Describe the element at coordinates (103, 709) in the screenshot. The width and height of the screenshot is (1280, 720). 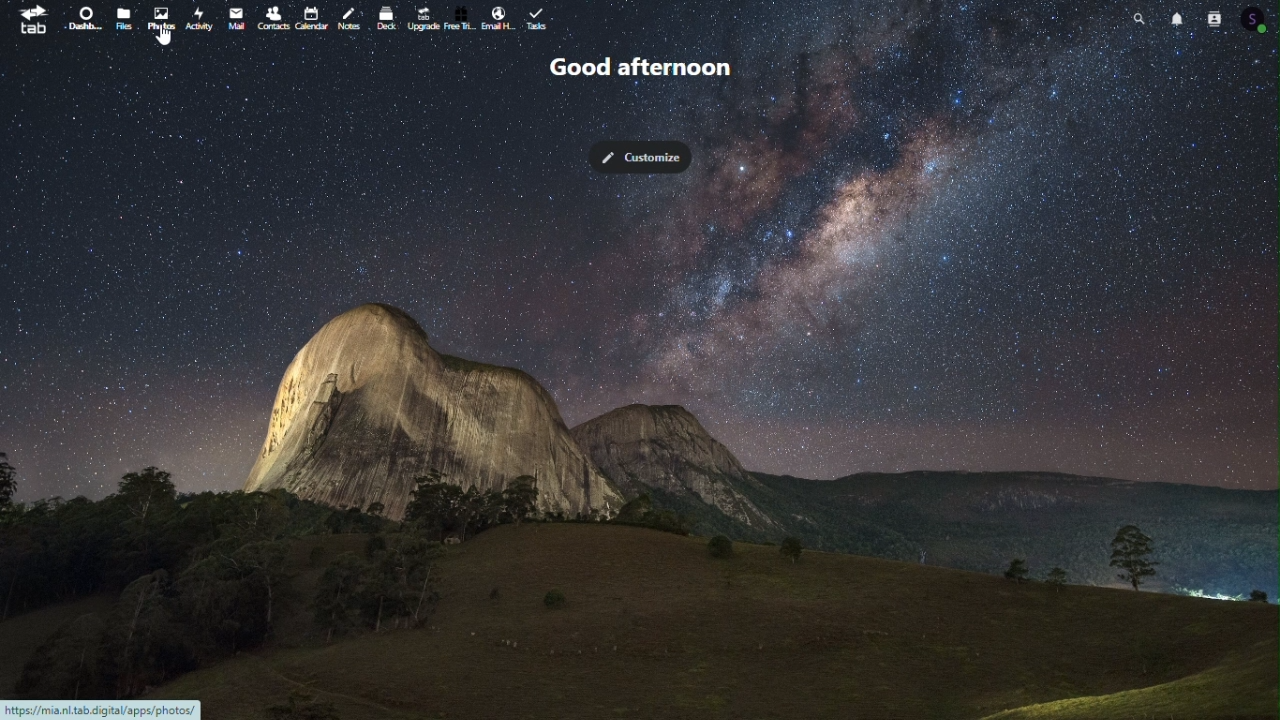
I see `URL` at that location.